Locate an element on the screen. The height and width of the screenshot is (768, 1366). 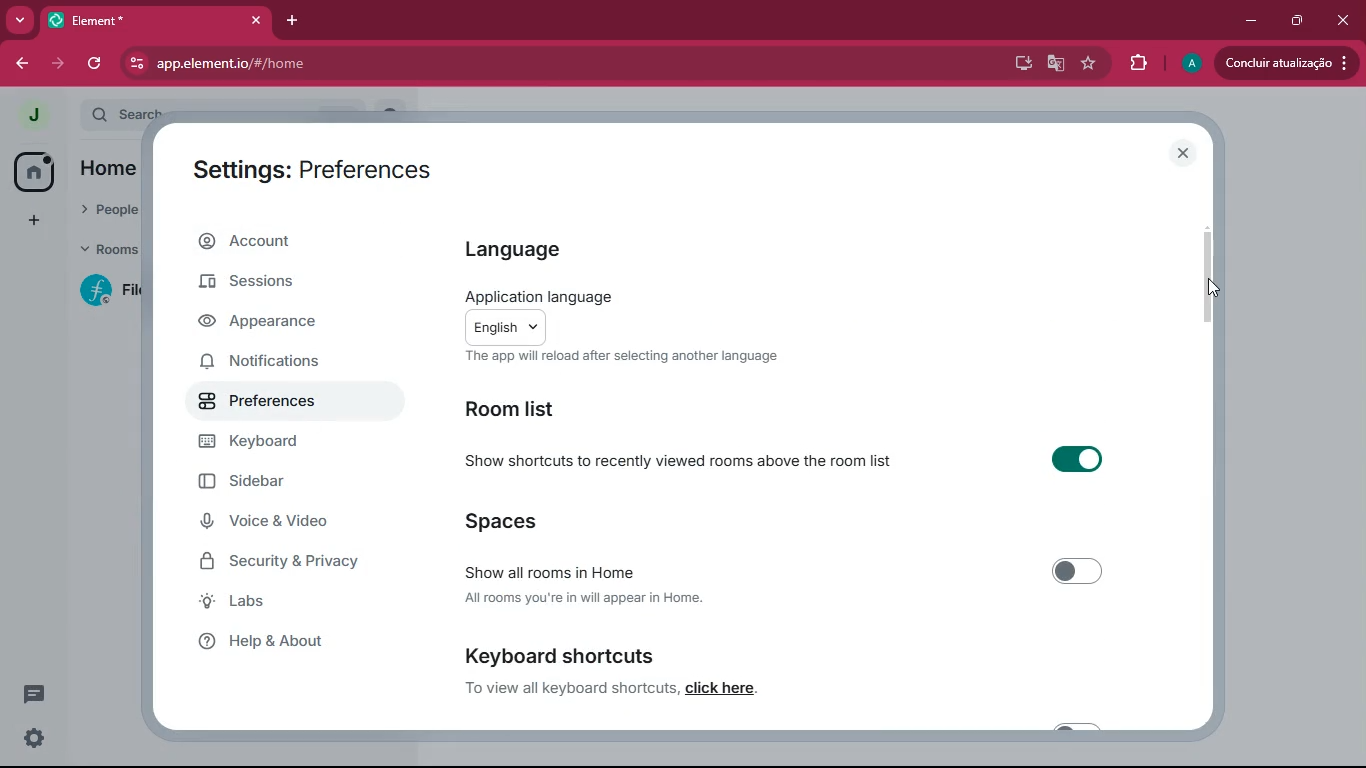
desktop is located at coordinates (1015, 63).